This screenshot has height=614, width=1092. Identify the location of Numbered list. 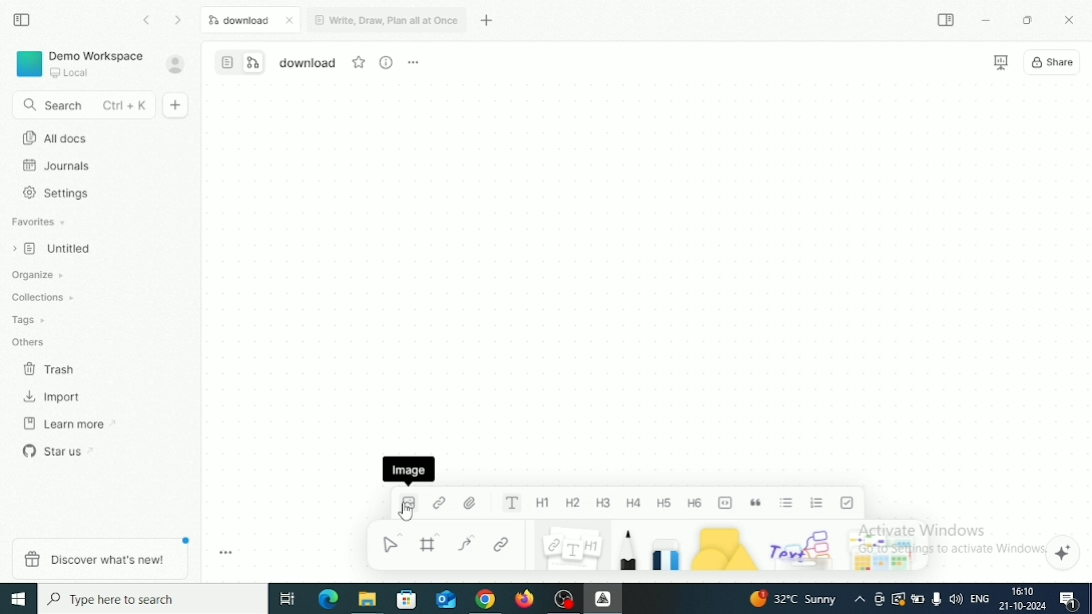
(818, 503).